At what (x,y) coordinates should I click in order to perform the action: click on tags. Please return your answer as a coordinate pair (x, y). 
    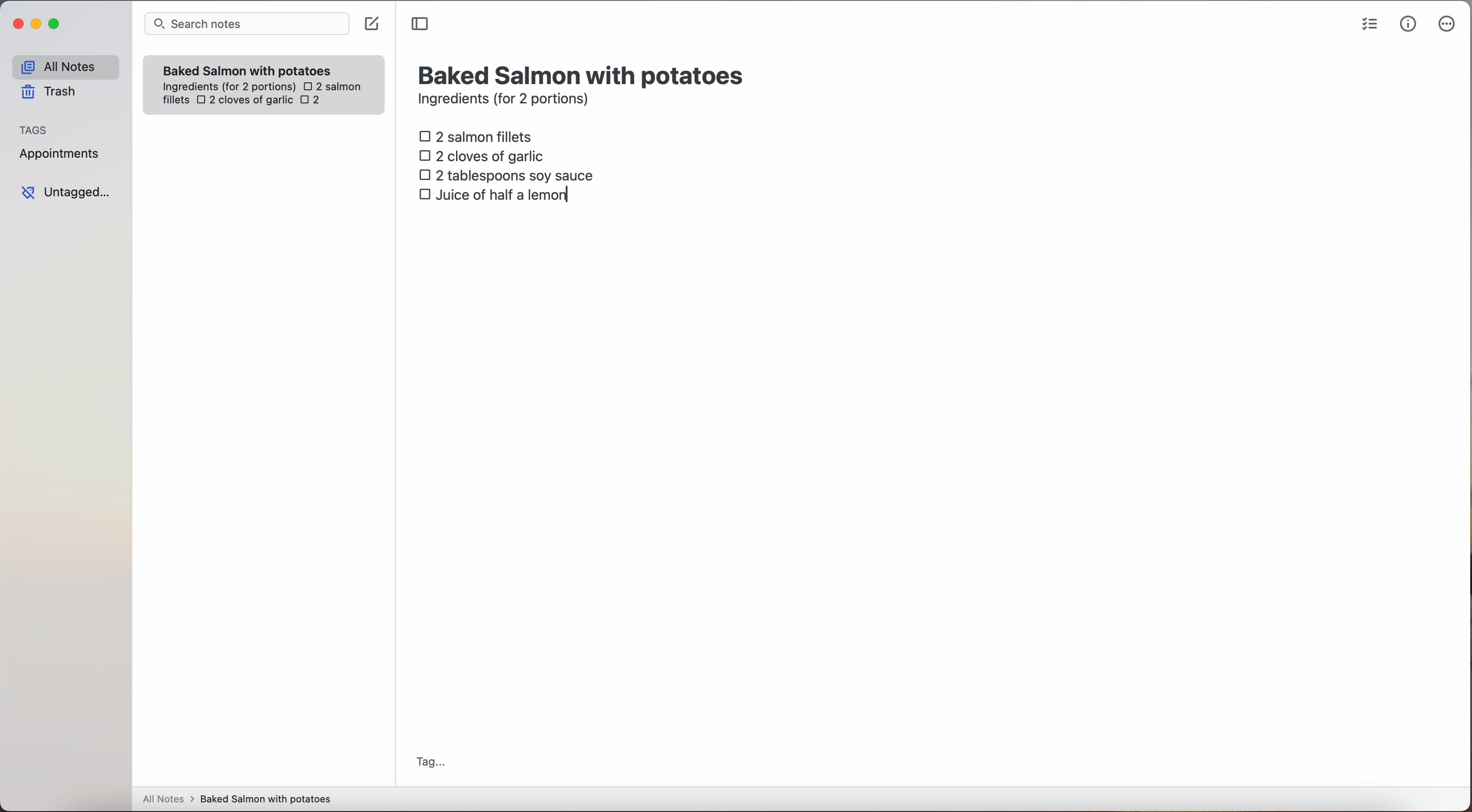
    Looking at the image, I should click on (34, 129).